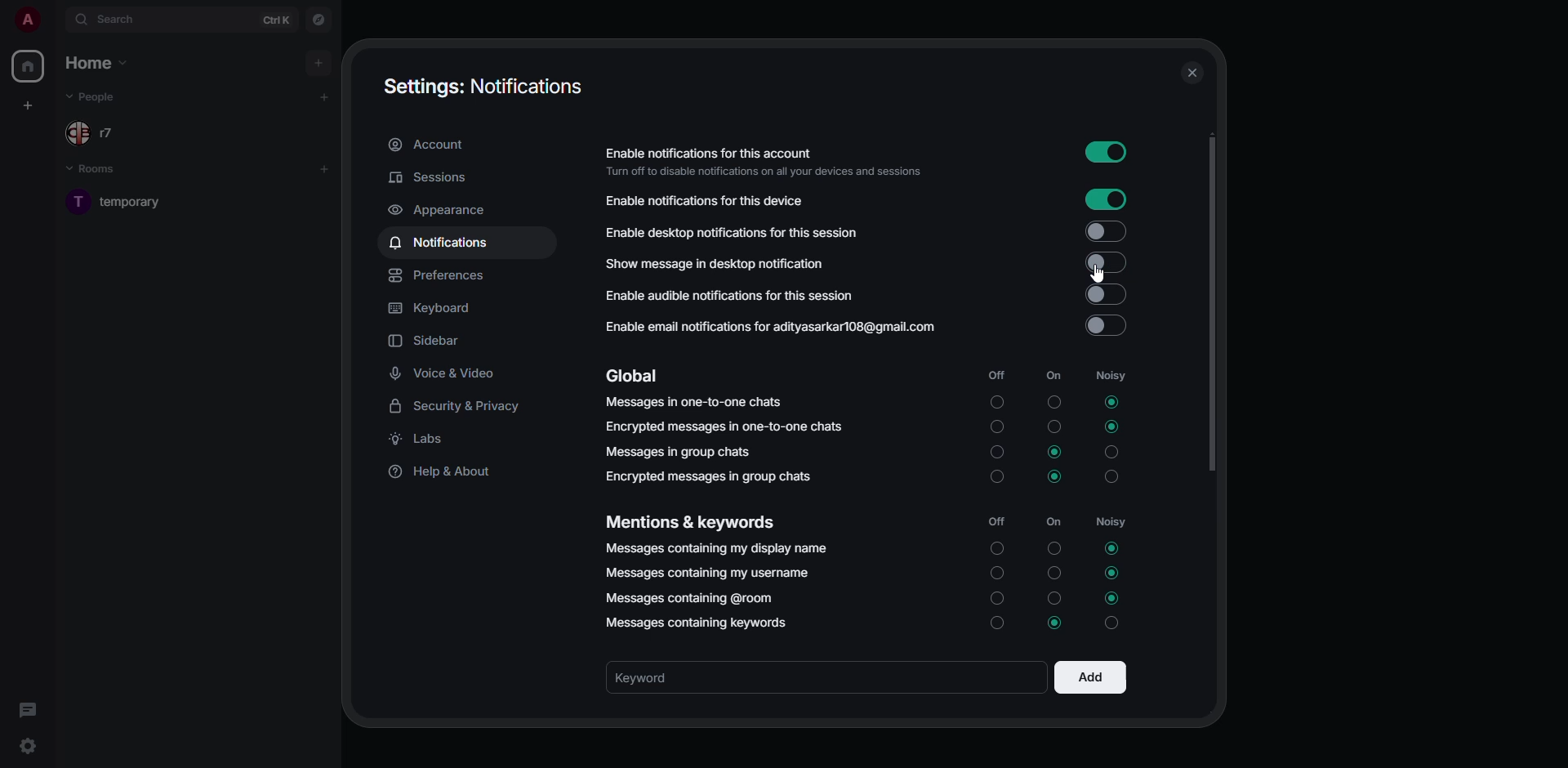 The height and width of the screenshot is (768, 1568). Describe the element at coordinates (996, 549) in the screenshot. I see `Off Unselected` at that location.